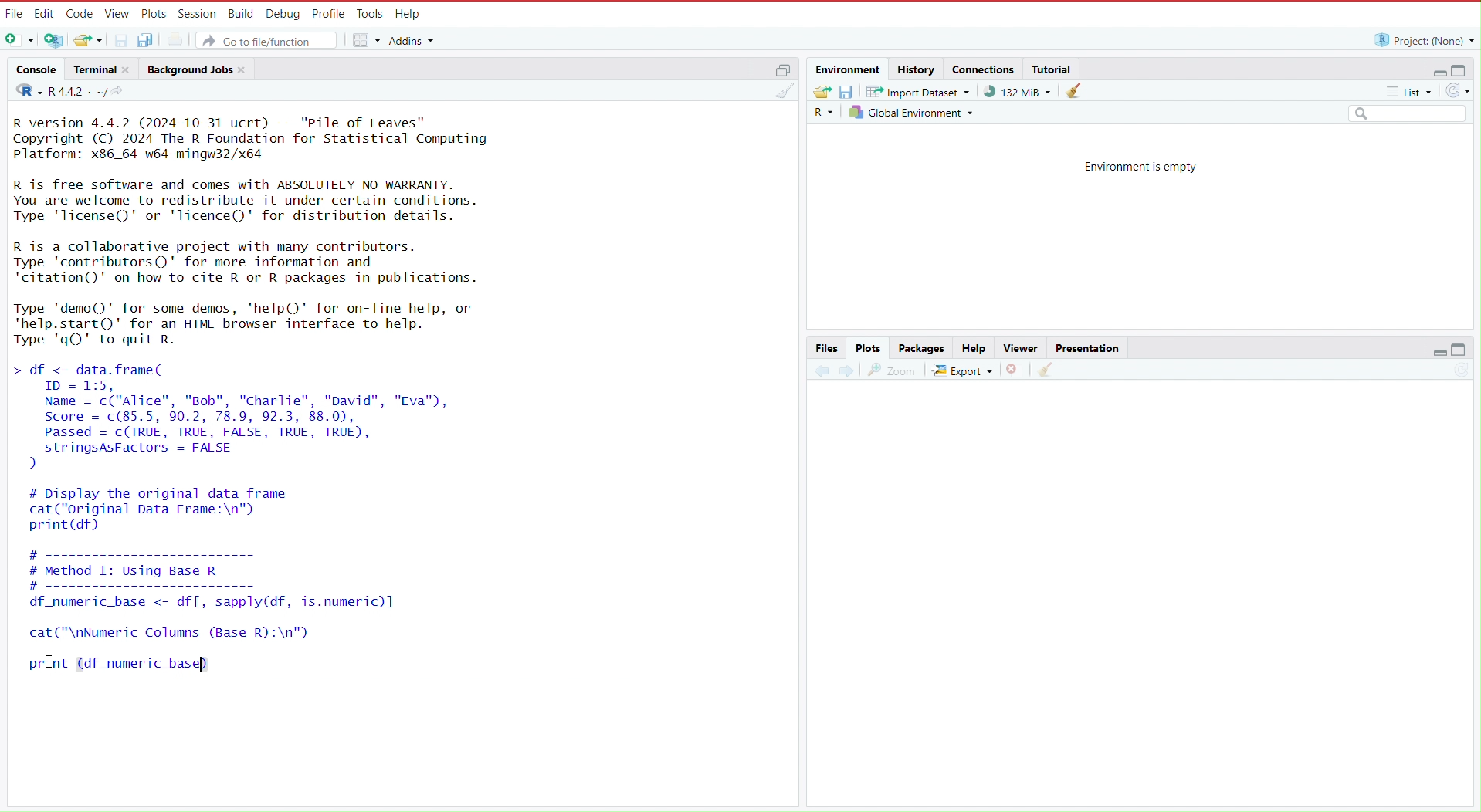 This screenshot has height=812, width=1481. What do you see at coordinates (1068, 91) in the screenshot?
I see `clear objects from the workspace` at bounding box center [1068, 91].